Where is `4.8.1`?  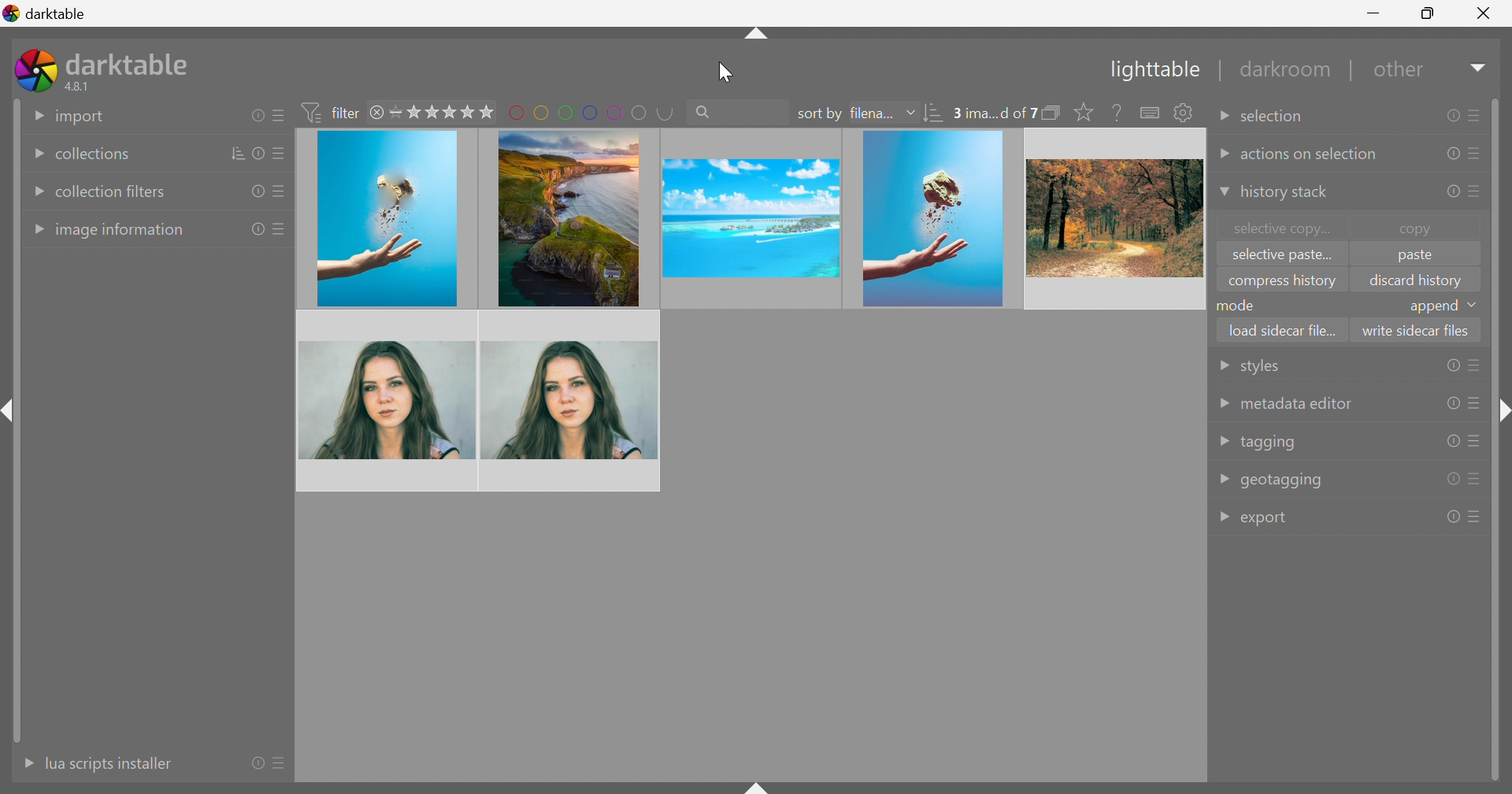
4.8.1 is located at coordinates (83, 87).